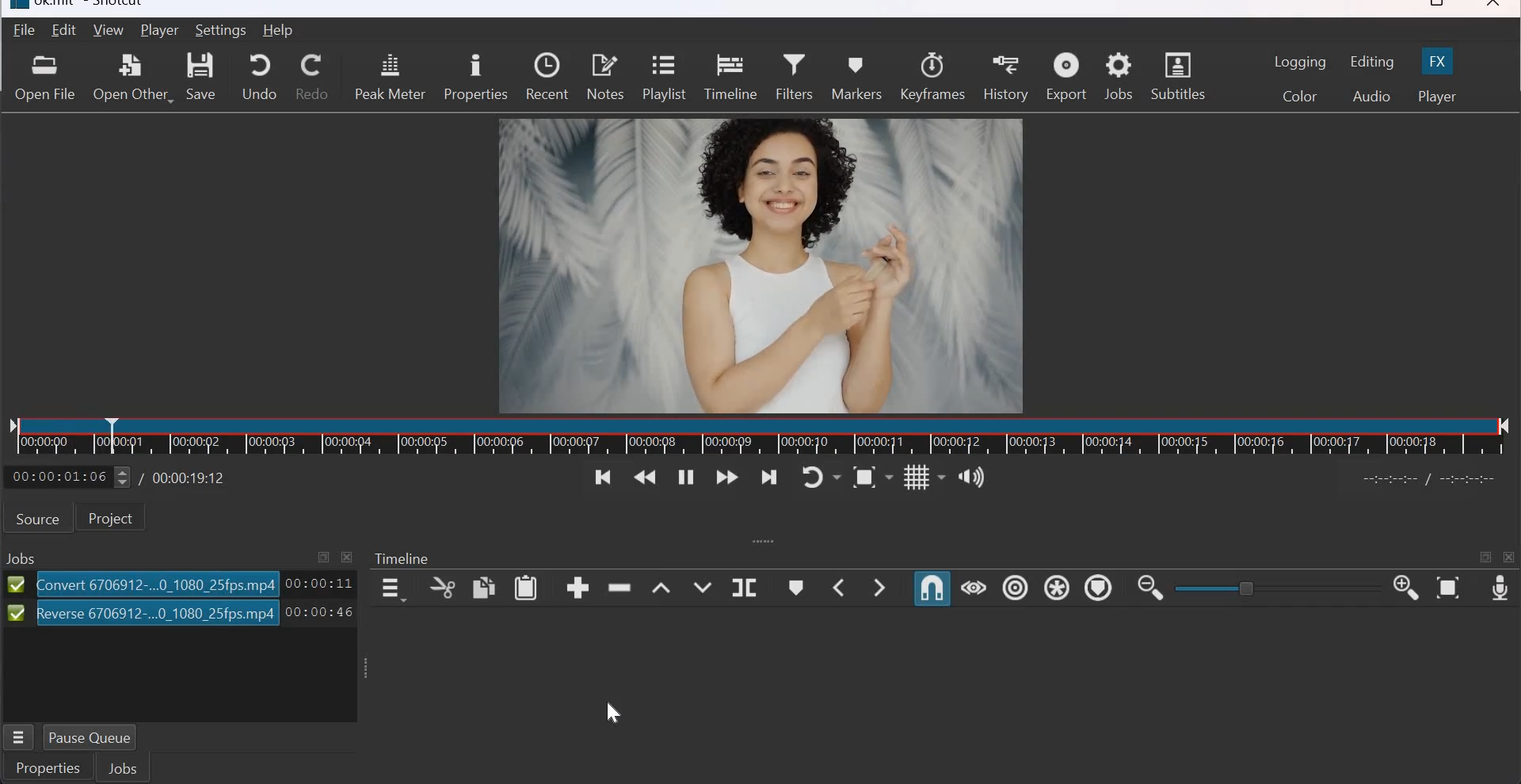 The image size is (1521, 784). What do you see at coordinates (68, 477) in the screenshot?
I see `current position` at bounding box center [68, 477].